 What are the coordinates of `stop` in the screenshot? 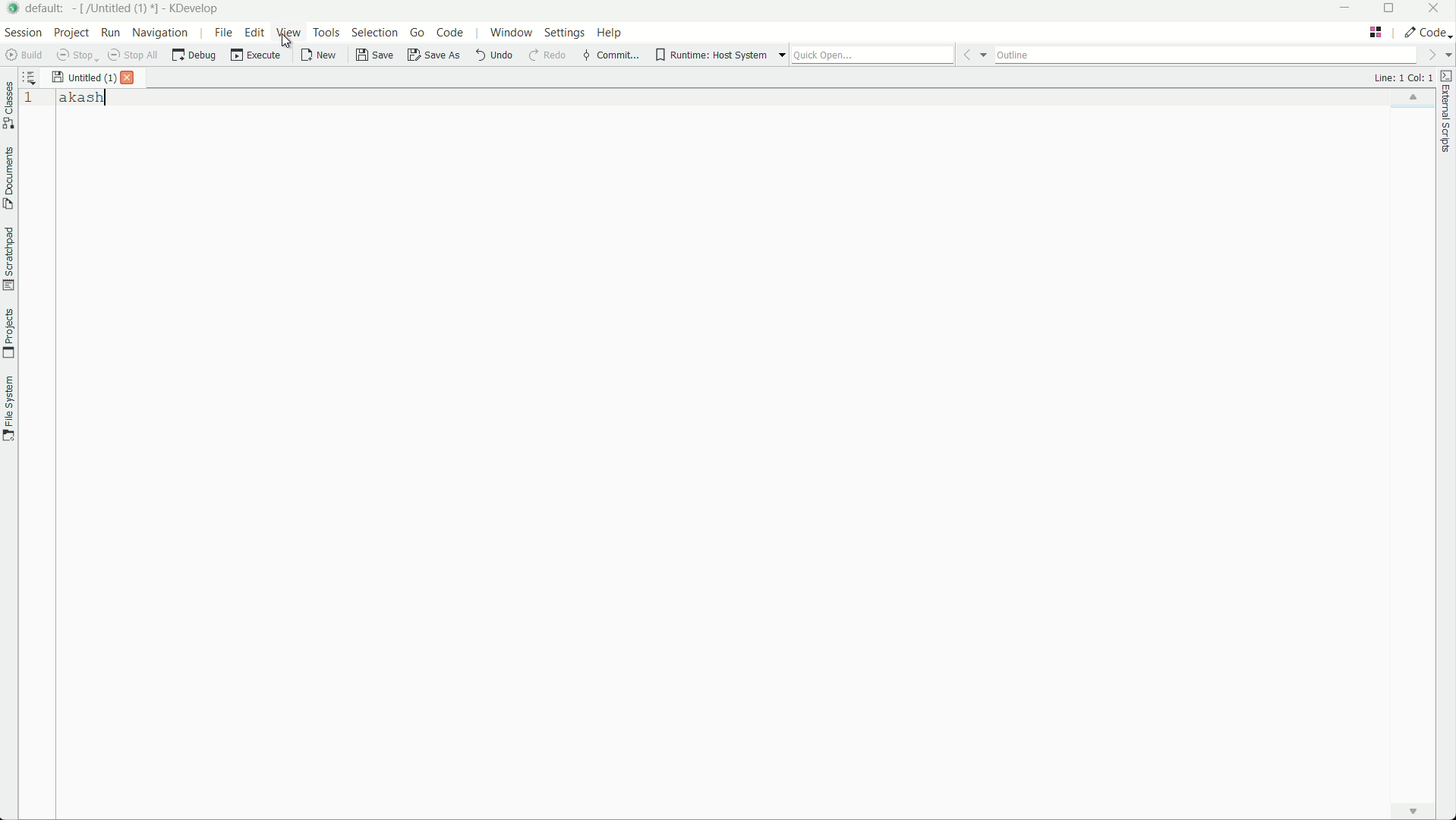 It's located at (76, 55).